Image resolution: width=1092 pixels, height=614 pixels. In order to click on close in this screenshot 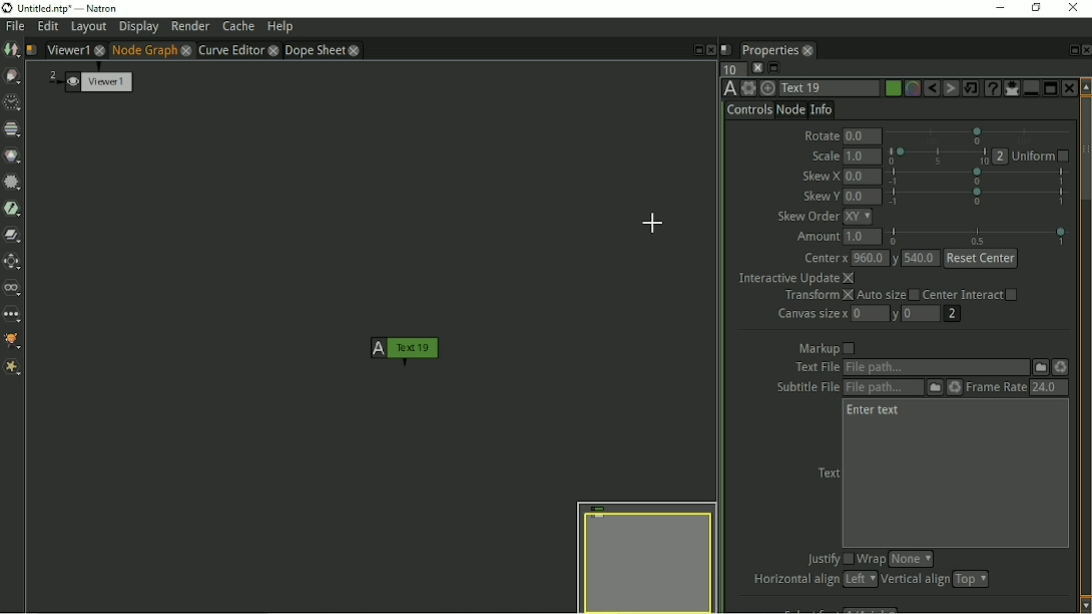, I will do `click(274, 50)`.